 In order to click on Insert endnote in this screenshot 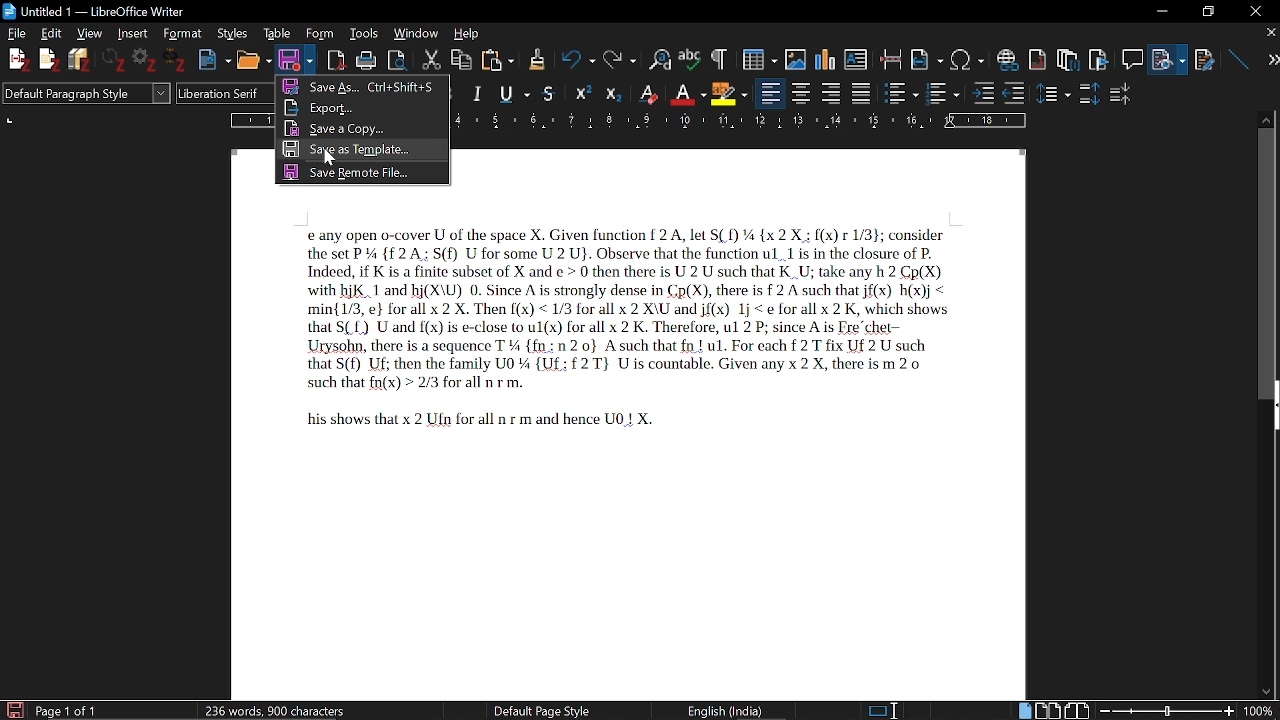, I will do `click(1039, 55)`.